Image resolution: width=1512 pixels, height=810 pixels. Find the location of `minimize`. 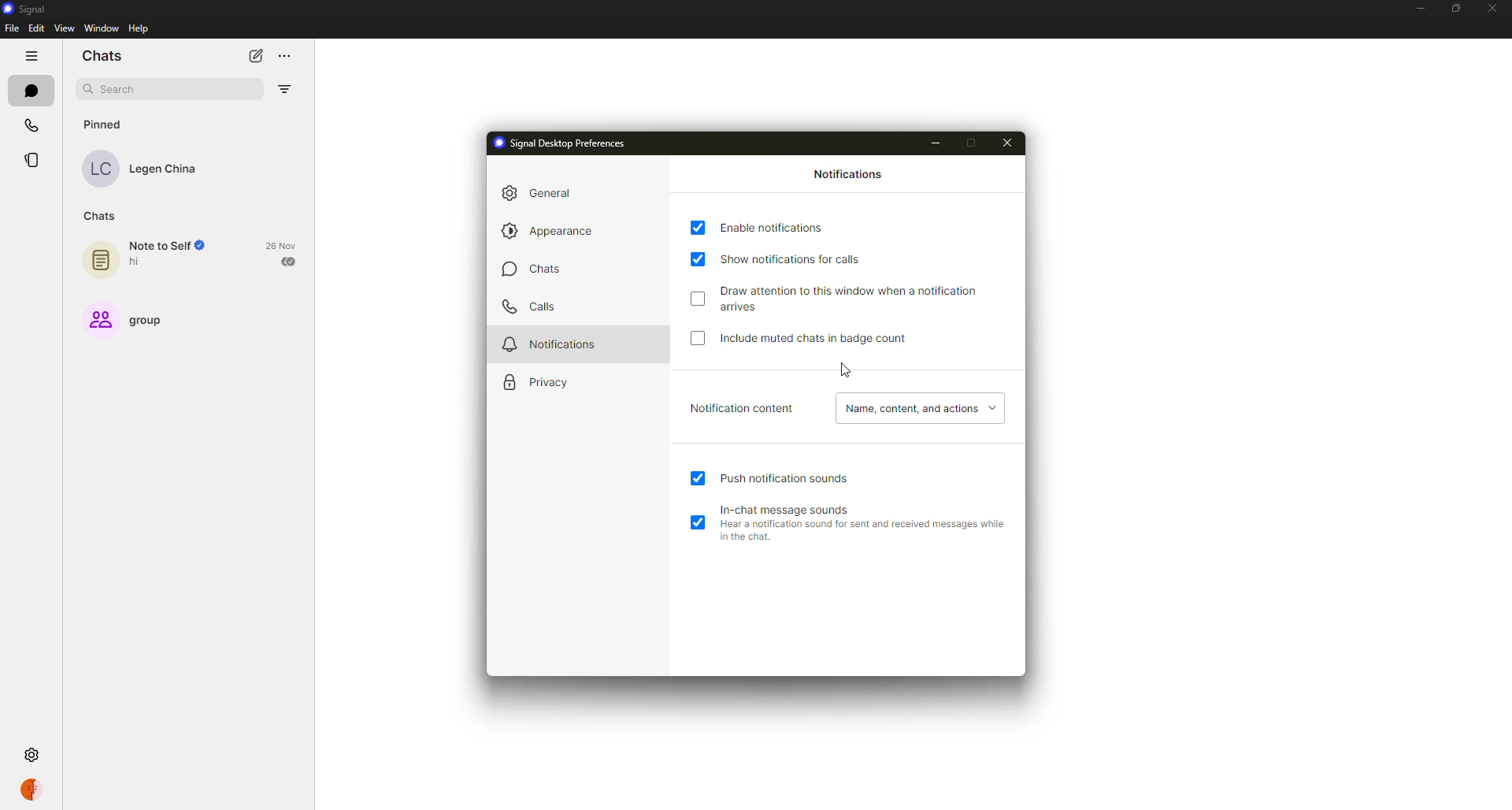

minimize is located at coordinates (936, 140).